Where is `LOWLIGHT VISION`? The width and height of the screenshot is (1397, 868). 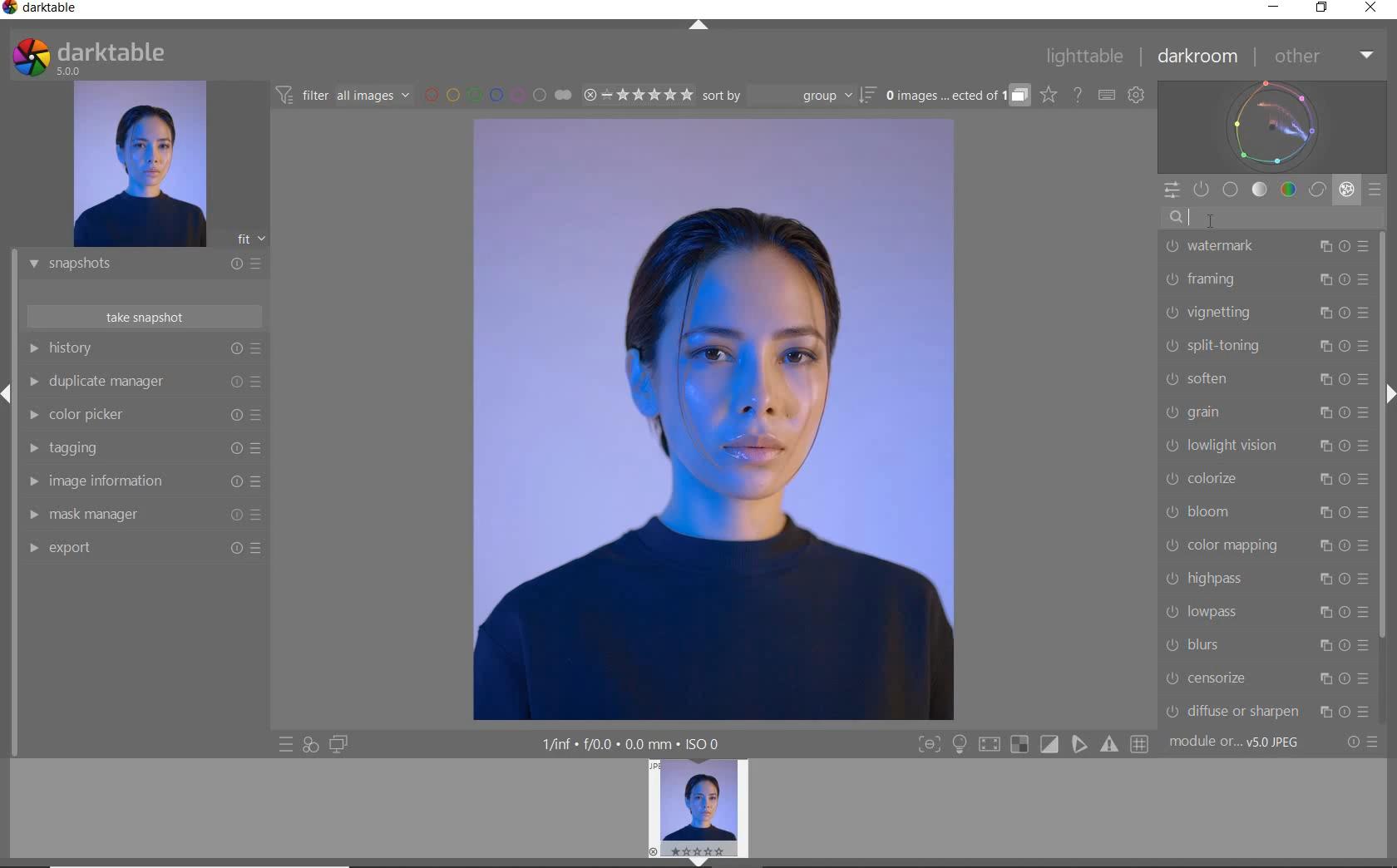
LOWLIGHT VISION is located at coordinates (1266, 446).